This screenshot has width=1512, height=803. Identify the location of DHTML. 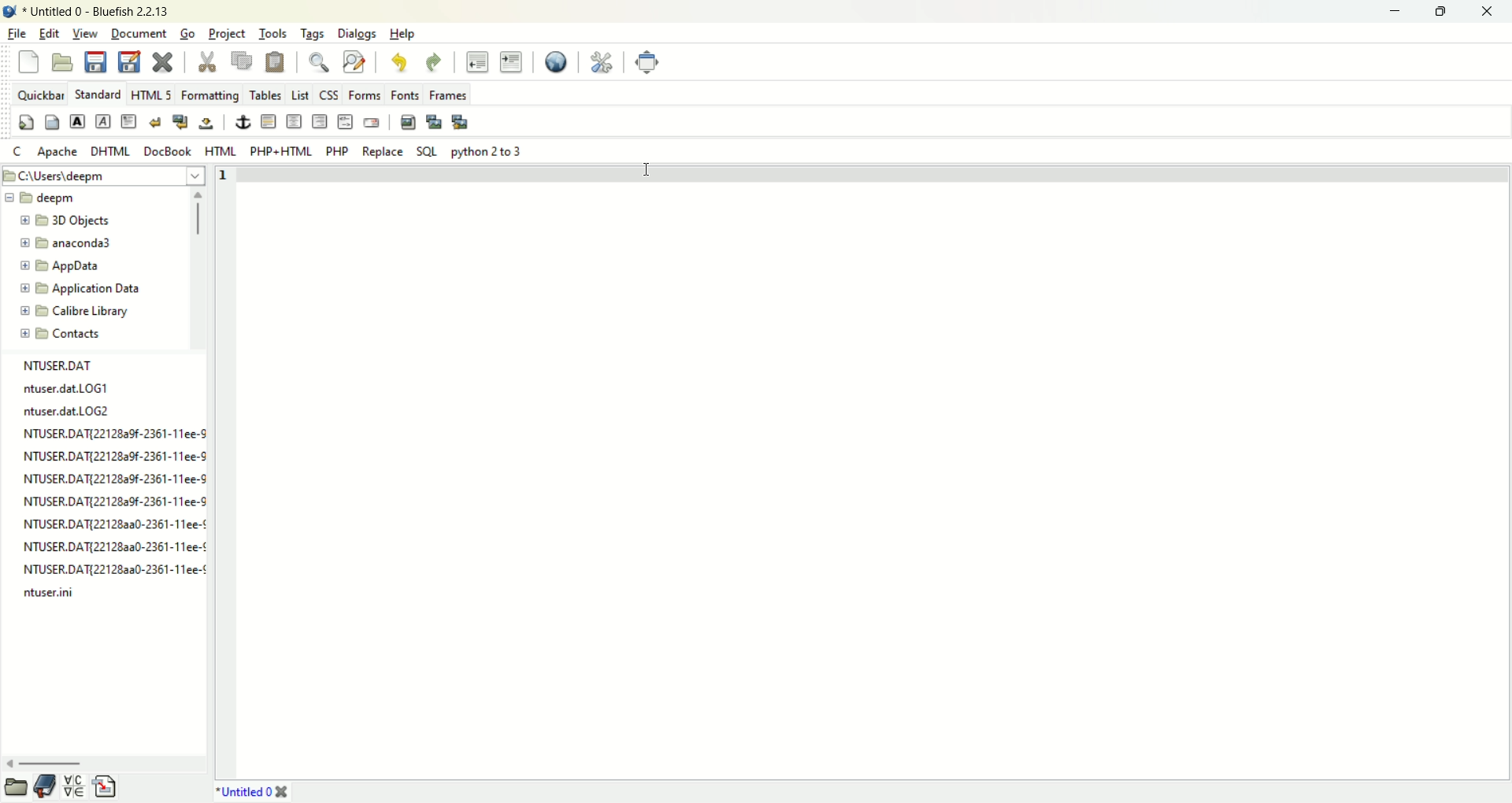
(109, 151).